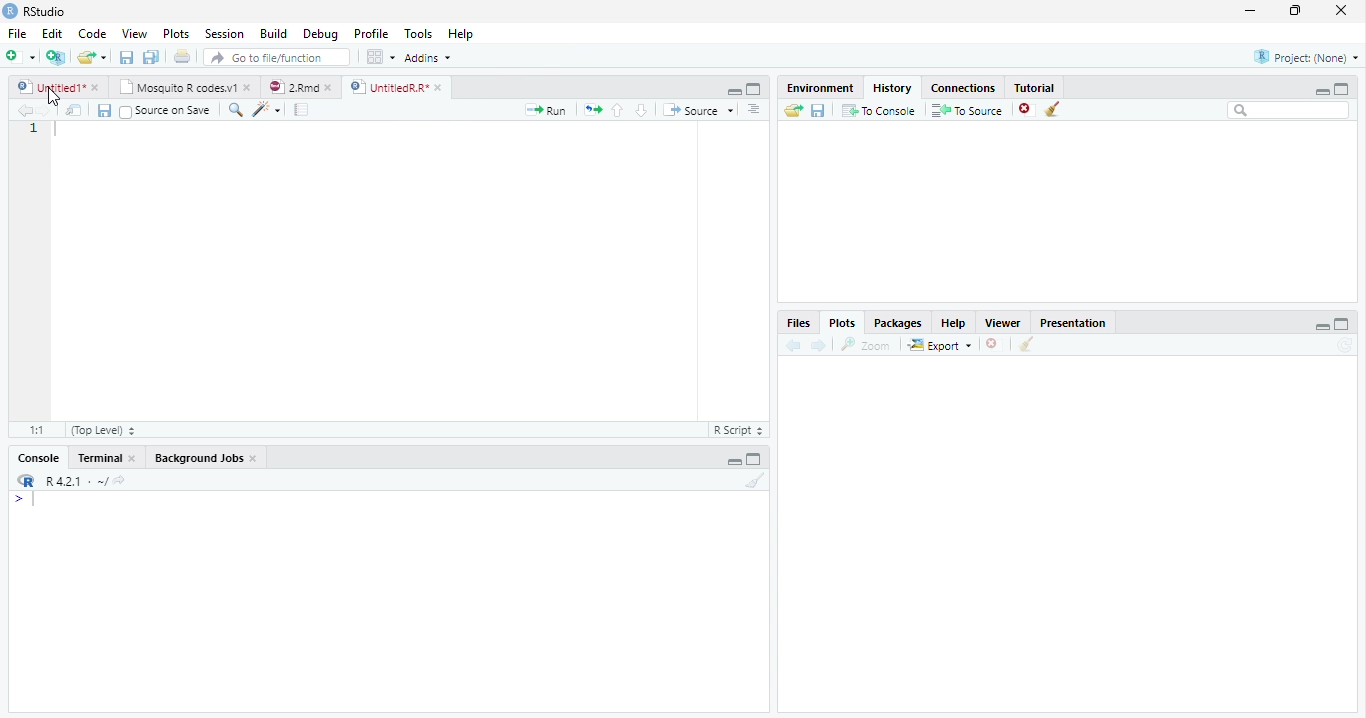 The image size is (1366, 718). What do you see at coordinates (1252, 10) in the screenshot?
I see `Minimize` at bounding box center [1252, 10].